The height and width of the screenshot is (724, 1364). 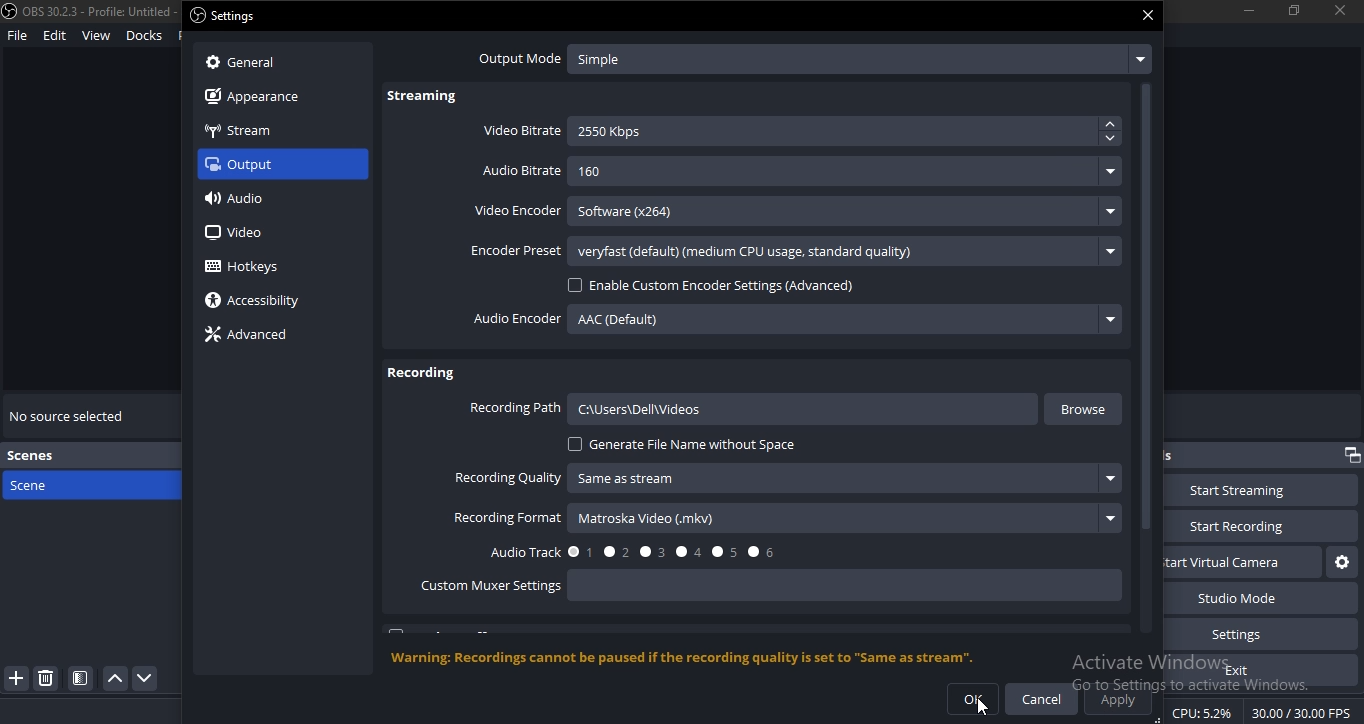 What do you see at coordinates (147, 678) in the screenshot?
I see `move down scene` at bounding box center [147, 678].